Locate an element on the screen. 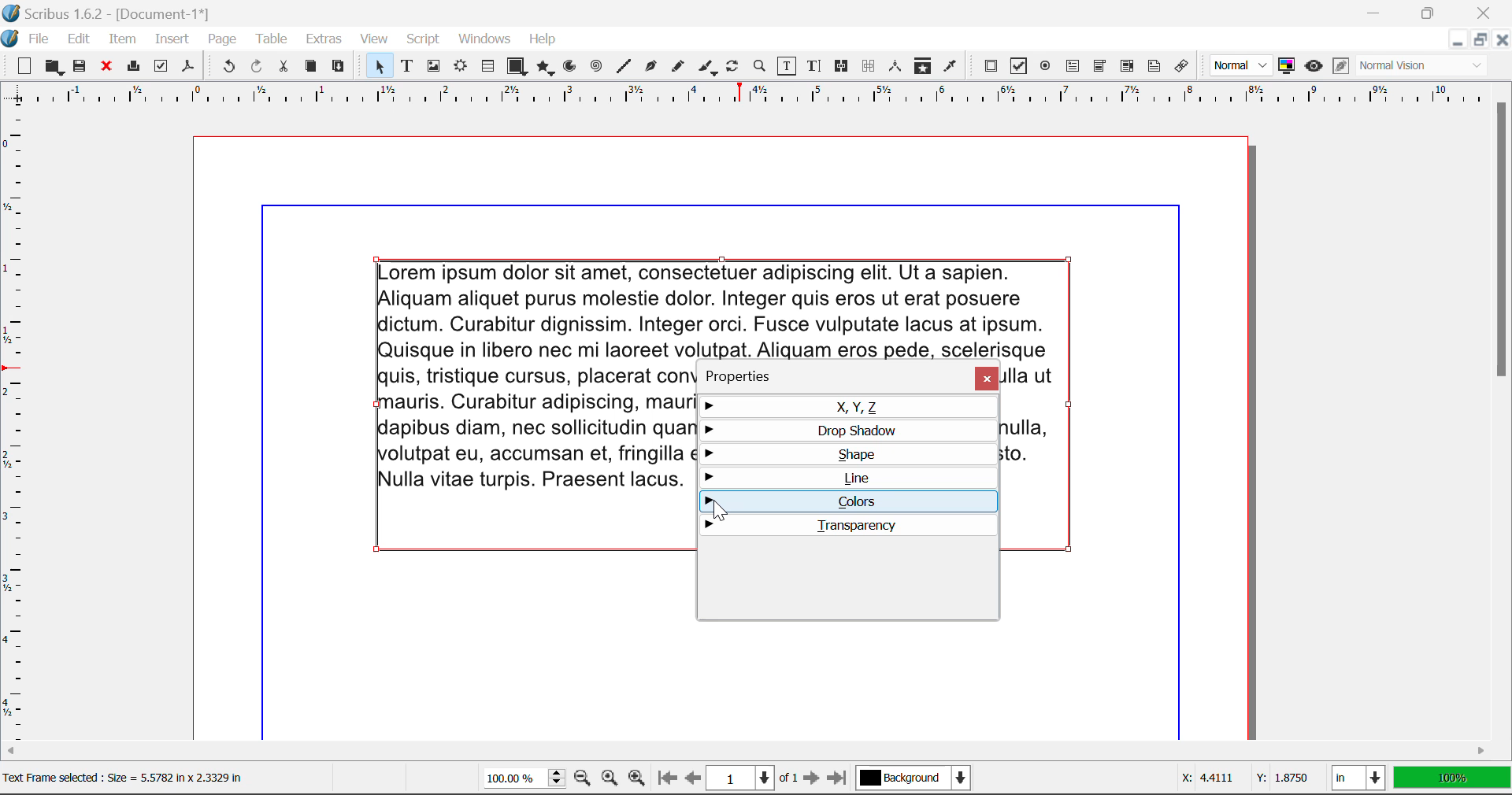  Select is located at coordinates (378, 66).